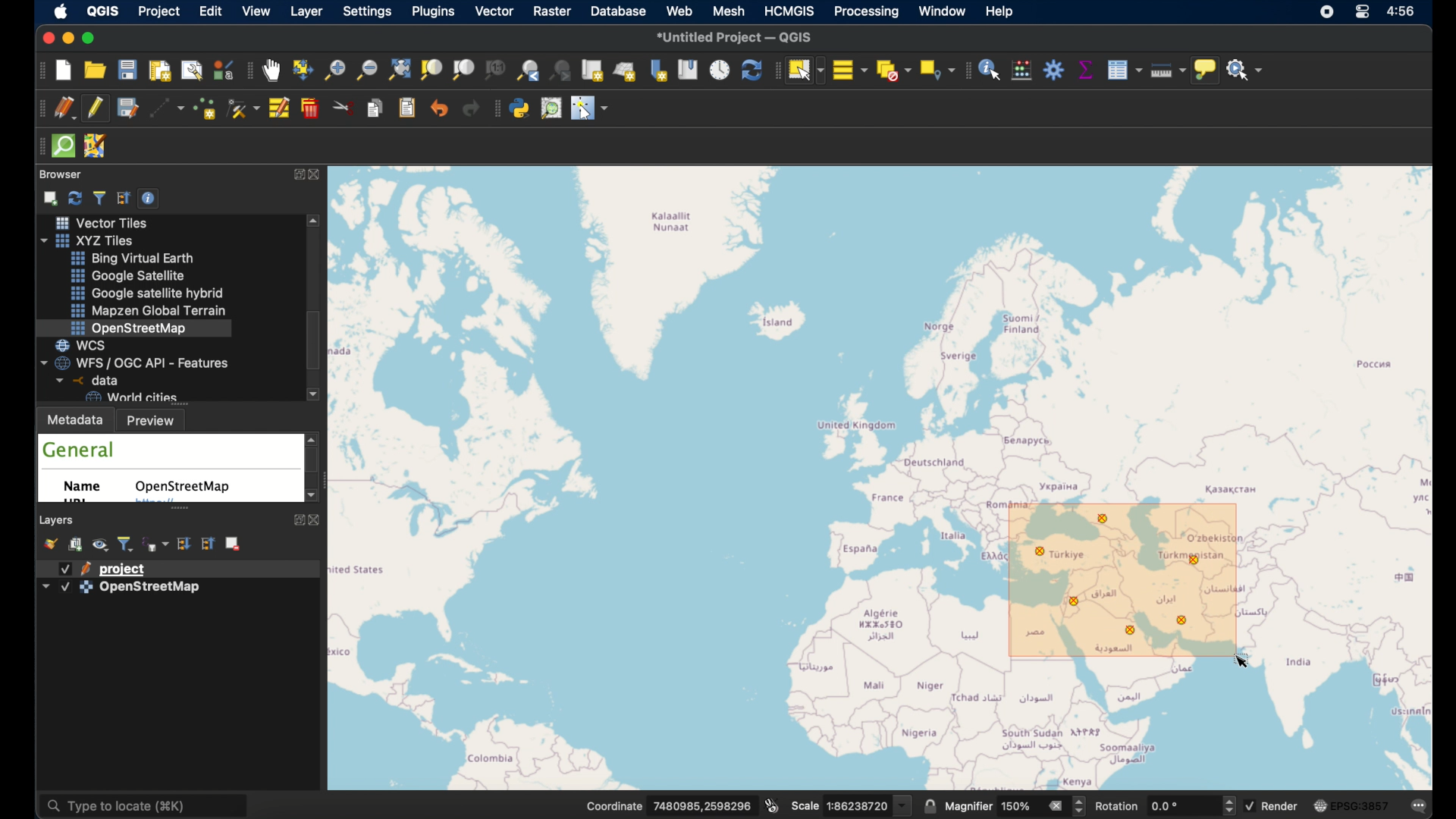 The width and height of the screenshot is (1456, 819). What do you see at coordinates (61, 174) in the screenshot?
I see `browser` at bounding box center [61, 174].